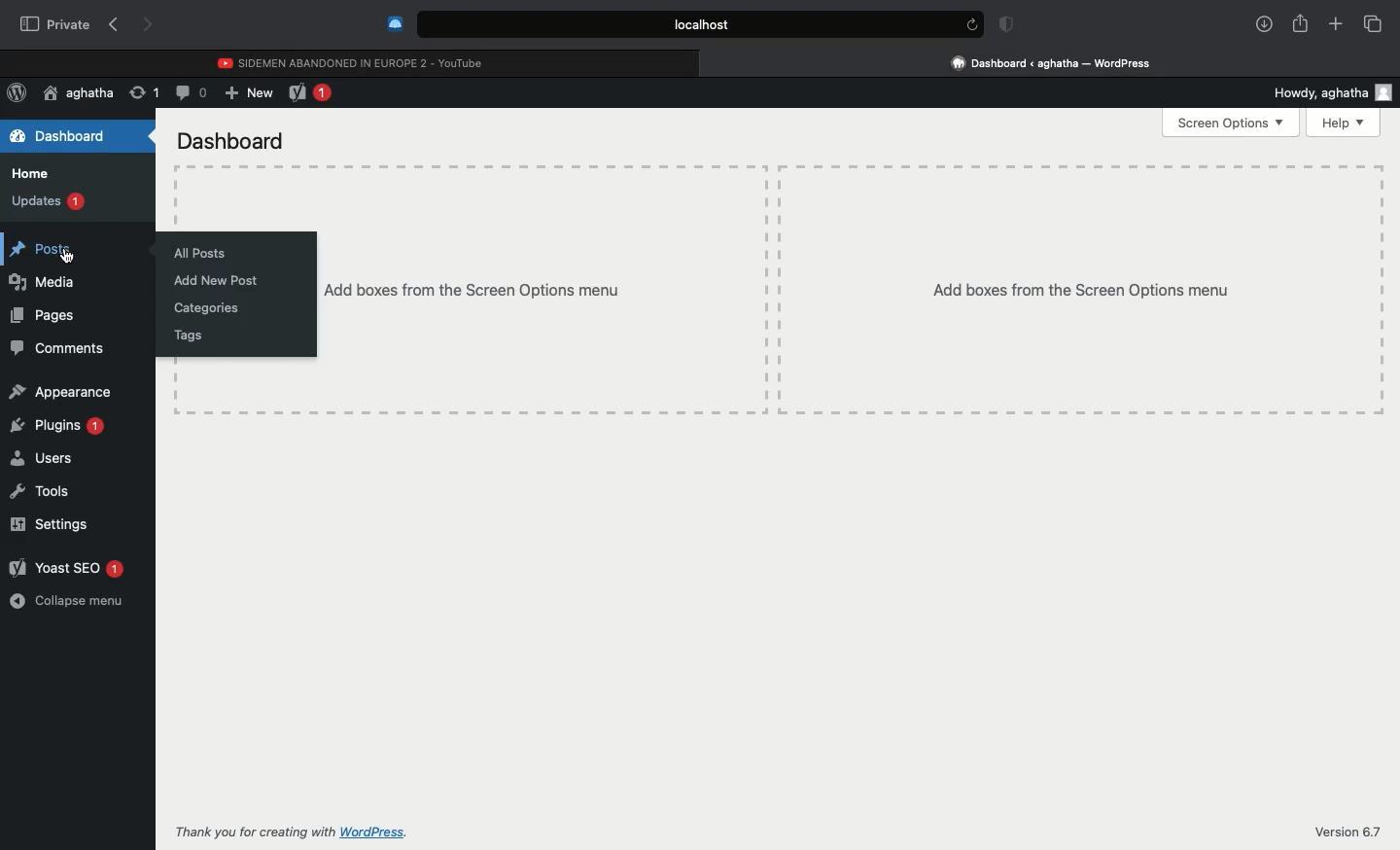 The image size is (1400, 850). Describe the element at coordinates (682, 24) in the screenshot. I see `Search bar` at that location.